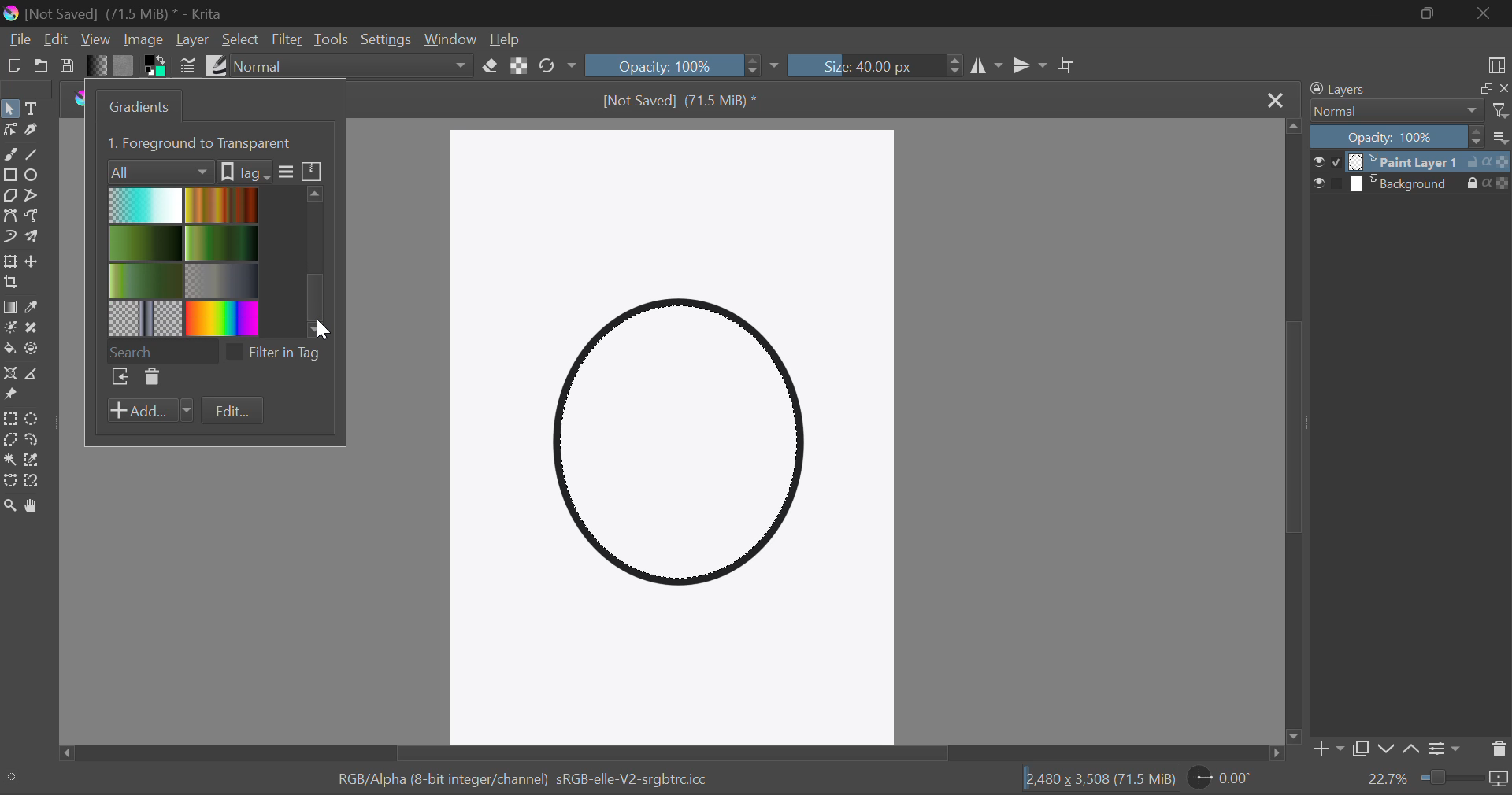 Image resolution: width=1512 pixels, height=795 pixels. Describe the element at coordinates (37, 483) in the screenshot. I see `Magnetic Curve Selection` at that location.